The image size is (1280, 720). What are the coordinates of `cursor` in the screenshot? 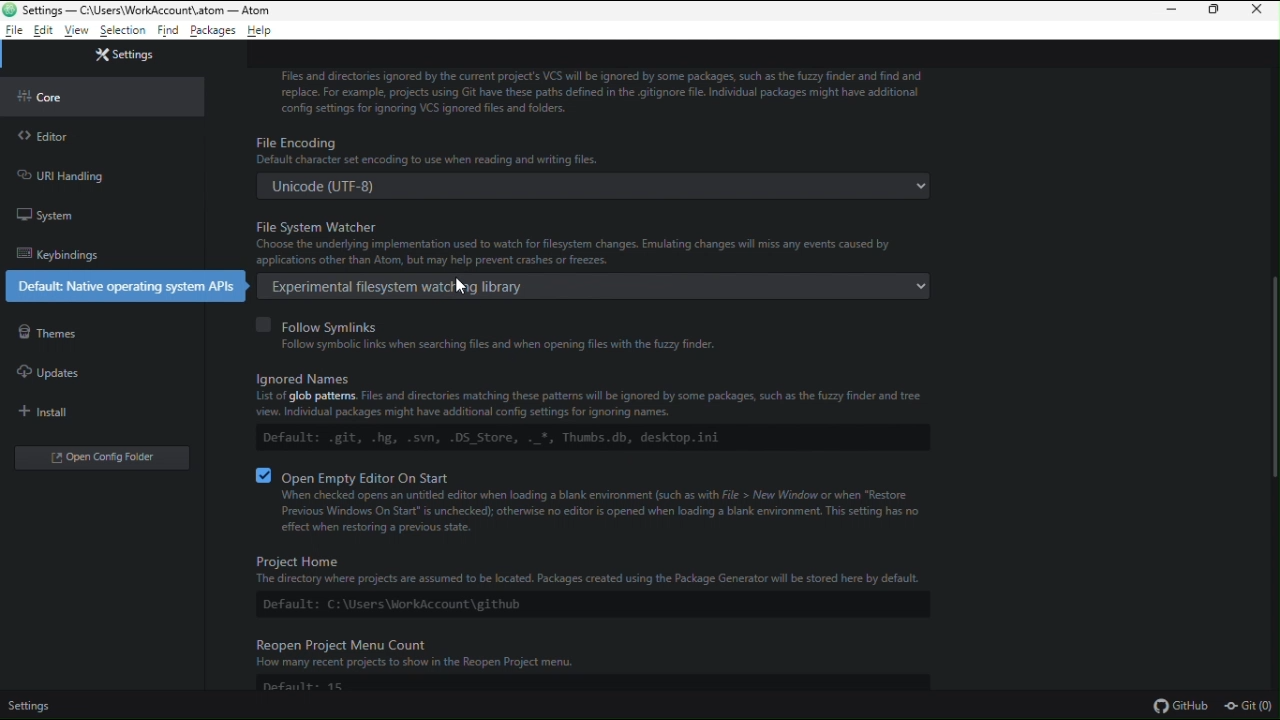 It's located at (461, 285).